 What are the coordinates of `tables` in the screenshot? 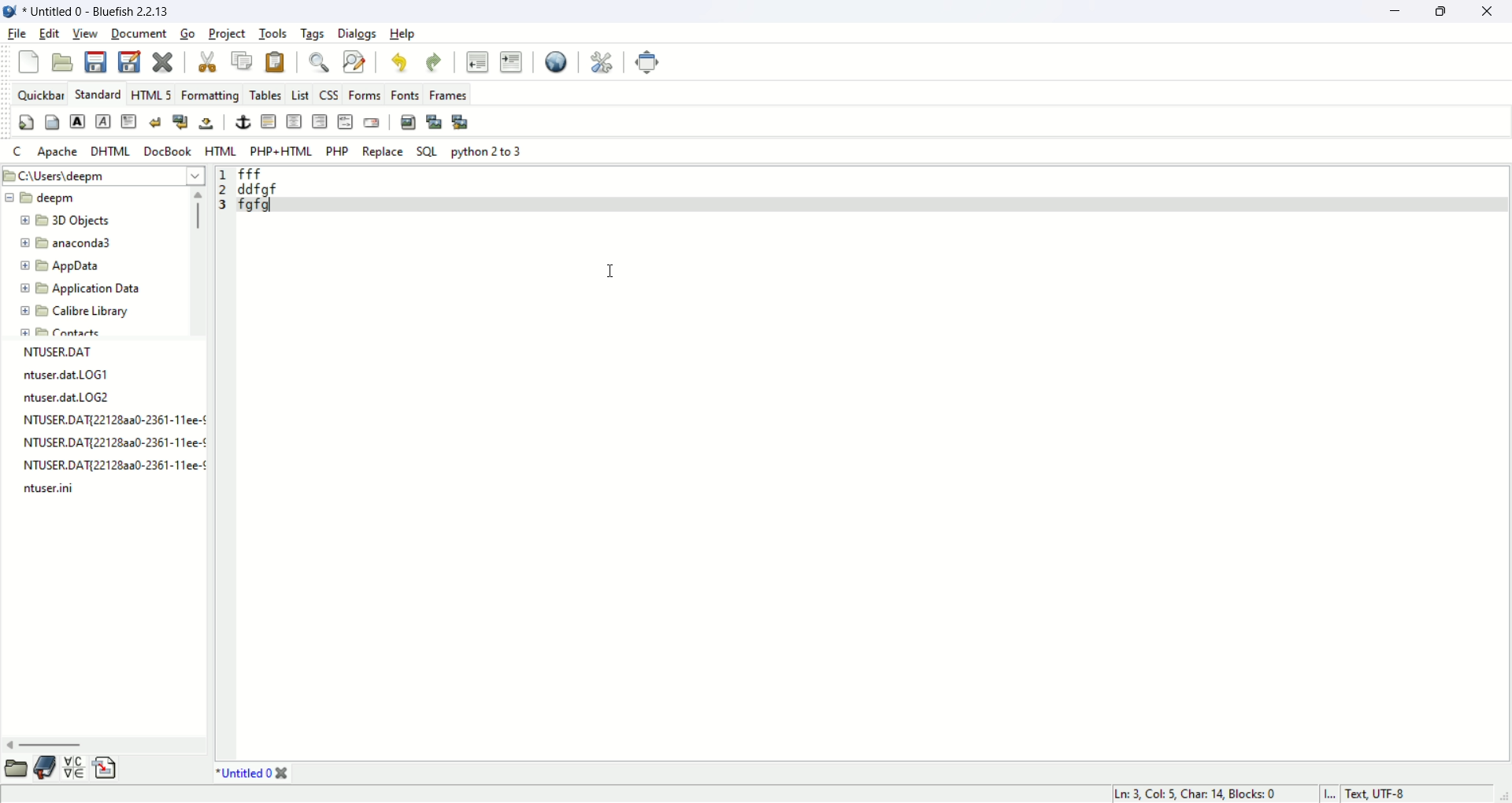 It's located at (261, 94).